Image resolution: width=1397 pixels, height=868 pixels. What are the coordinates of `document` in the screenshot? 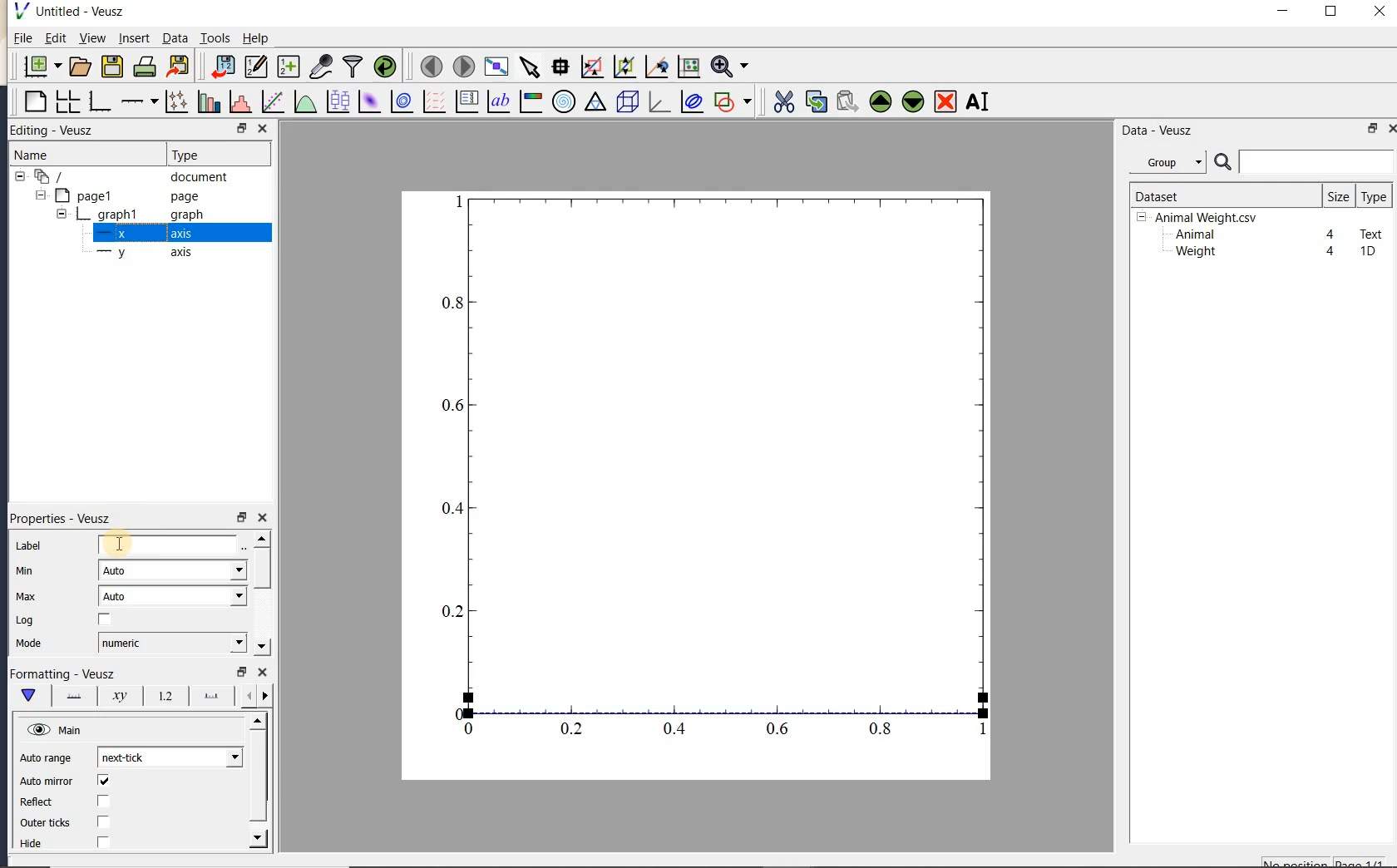 It's located at (126, 177).